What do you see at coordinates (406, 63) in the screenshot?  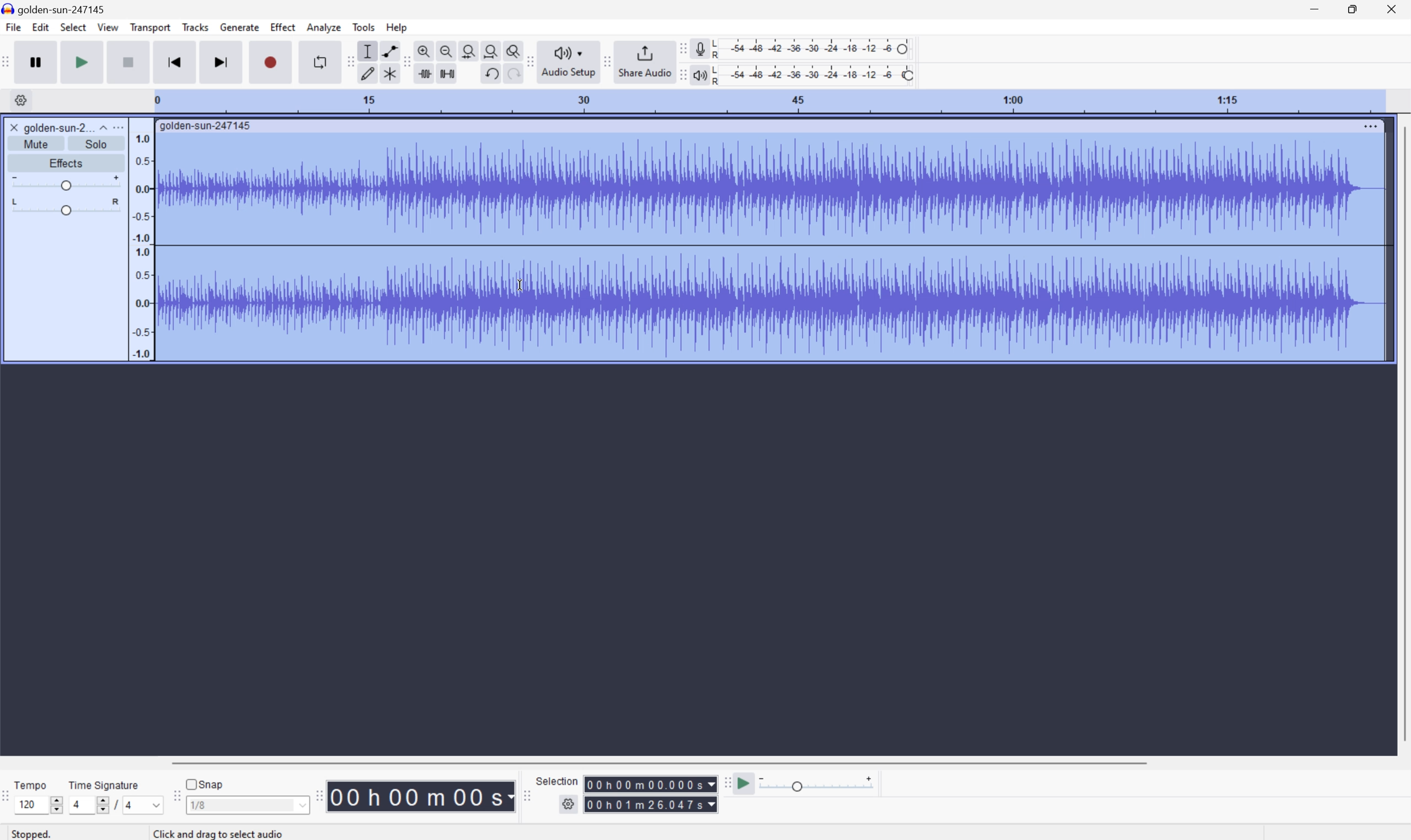 I see `Audacity edit toolbar` at bounding box center [406, 63].